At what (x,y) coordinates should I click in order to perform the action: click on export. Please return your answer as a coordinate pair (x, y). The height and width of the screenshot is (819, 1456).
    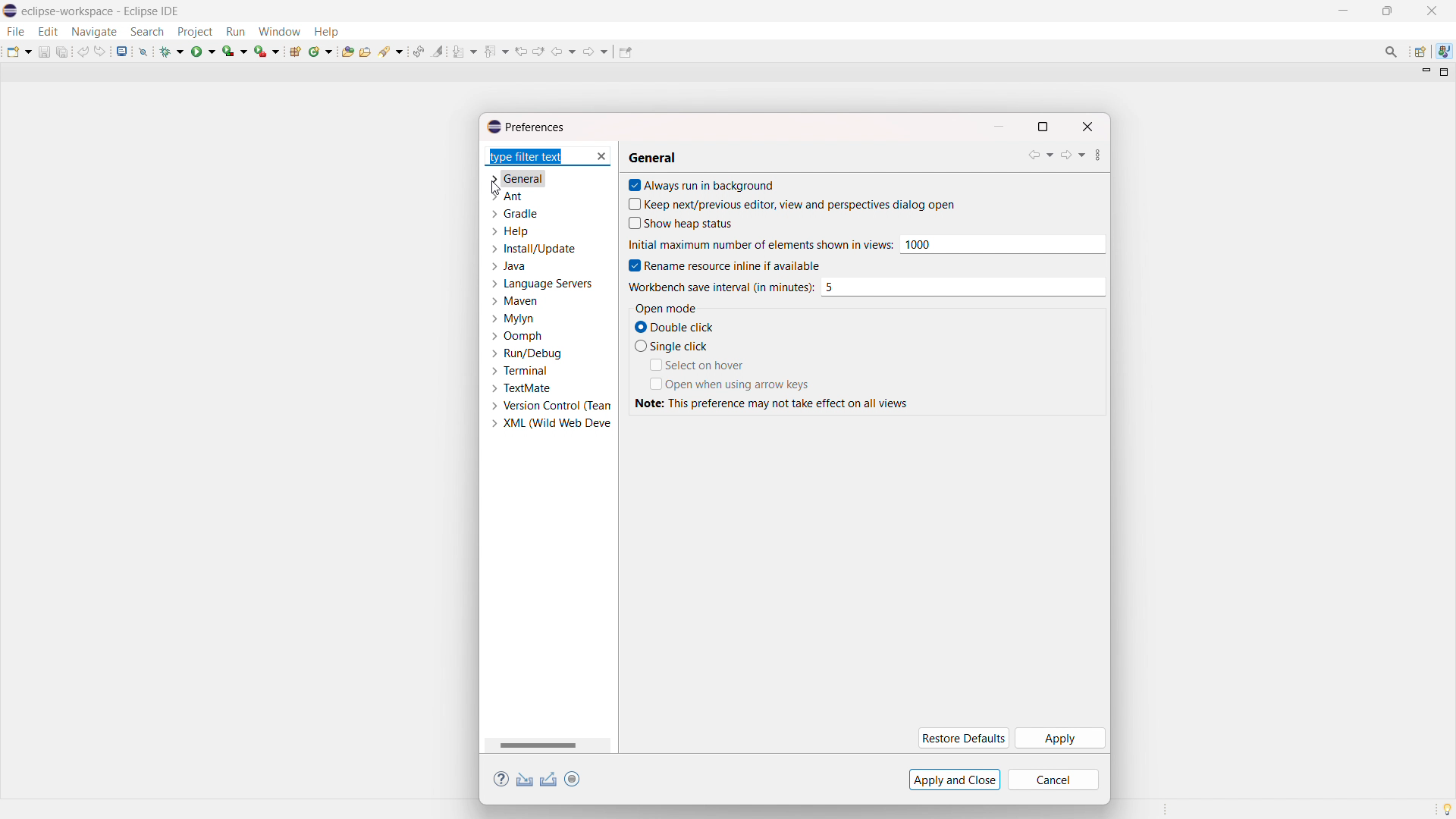
    Looking at the image, I should click on (549, 780).